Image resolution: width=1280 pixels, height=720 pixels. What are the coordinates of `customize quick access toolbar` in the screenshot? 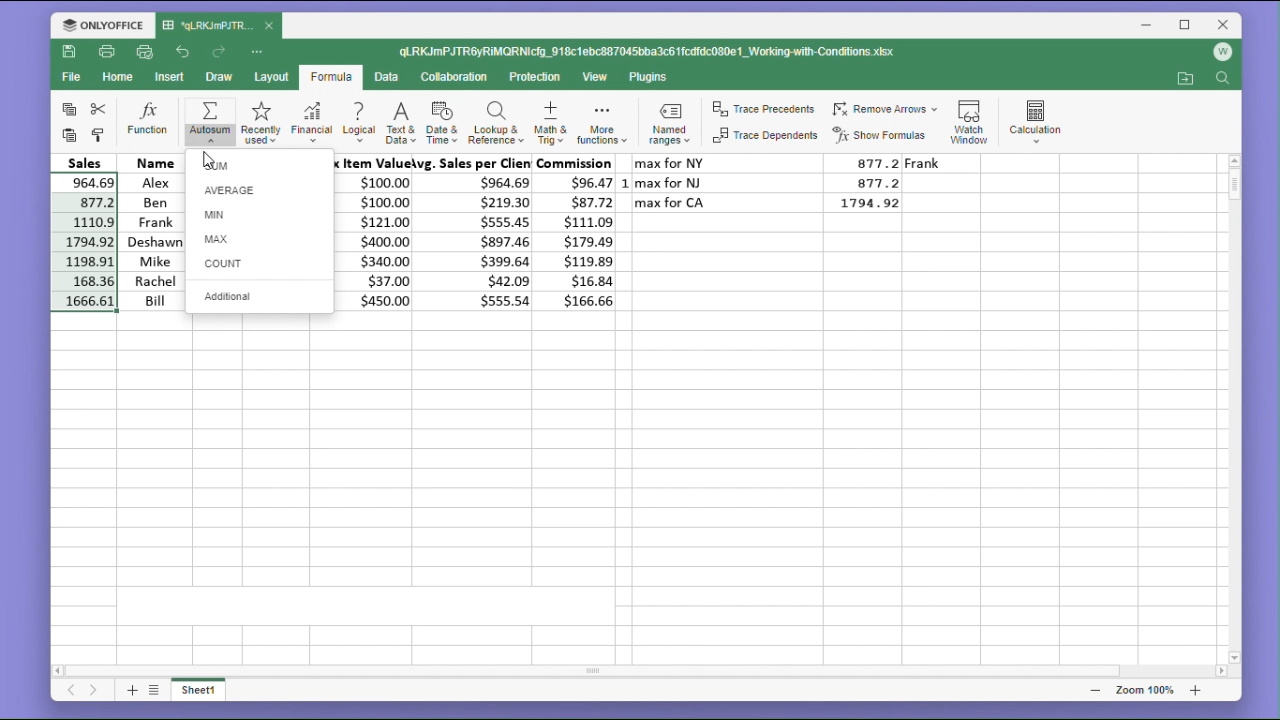 It's located at (264, 51).